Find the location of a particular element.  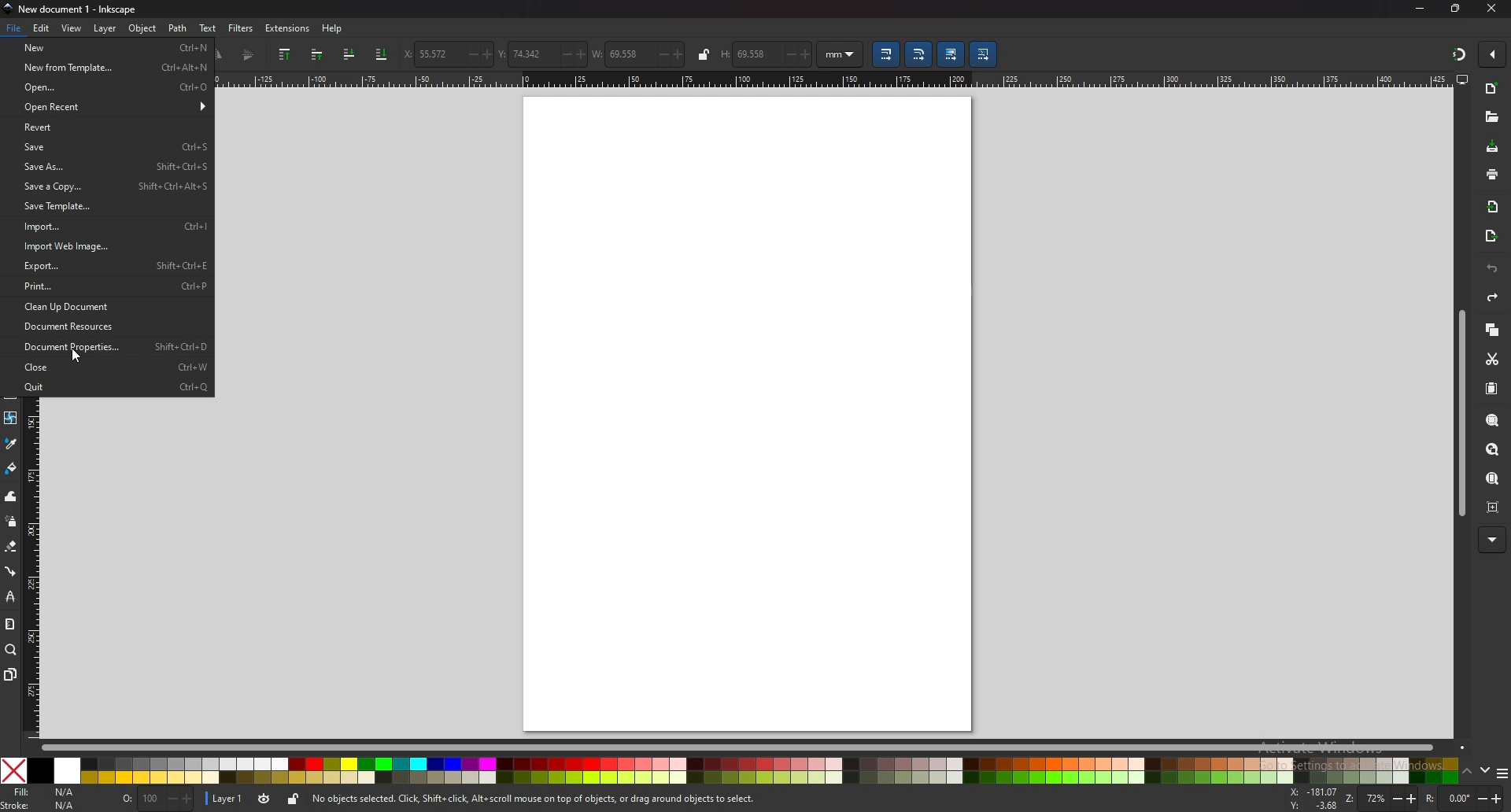

save a copy is located at coordinates (109, 186).